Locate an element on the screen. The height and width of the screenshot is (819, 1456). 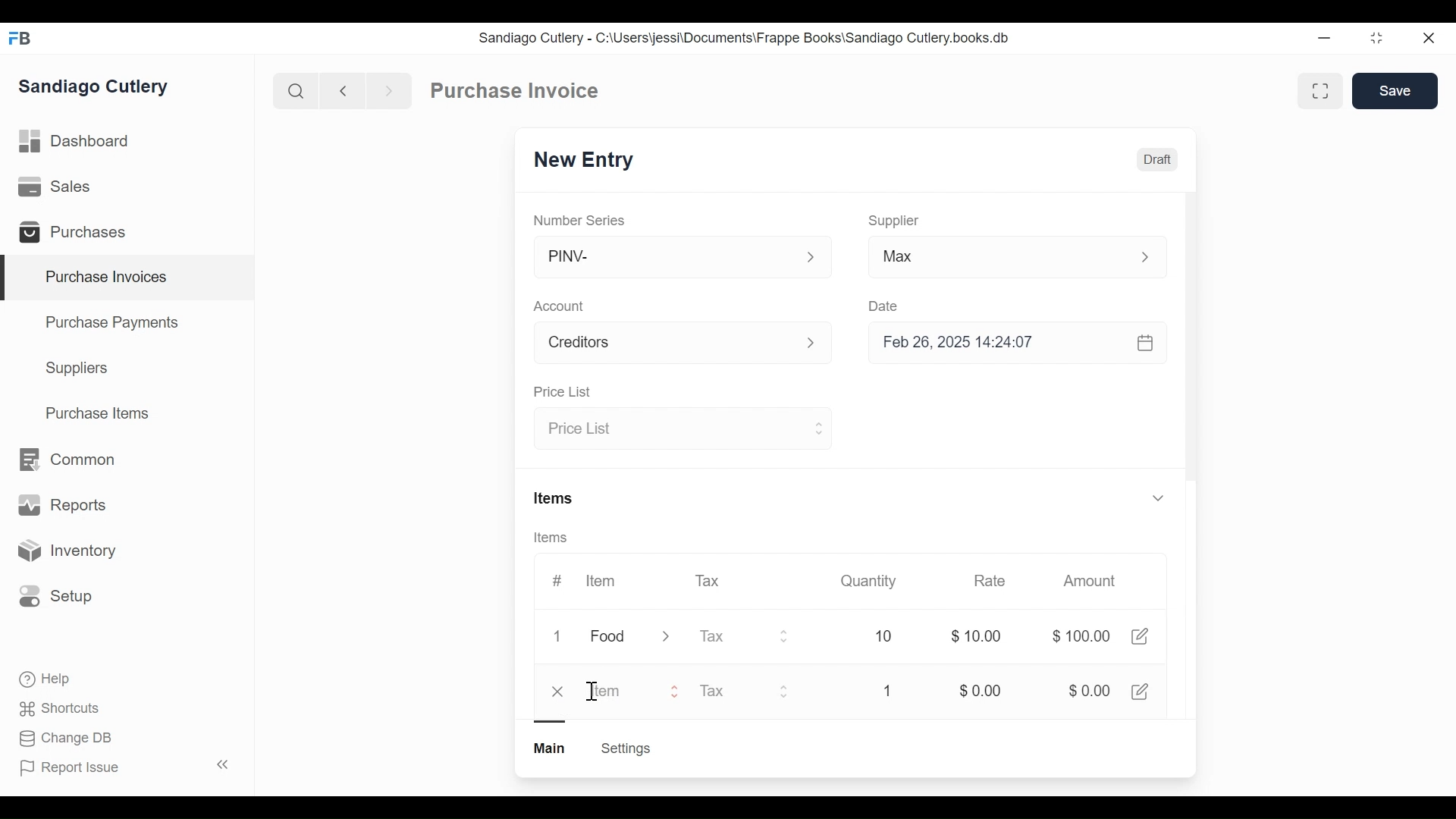
$100.00 is located at coordinates (1081, 636).